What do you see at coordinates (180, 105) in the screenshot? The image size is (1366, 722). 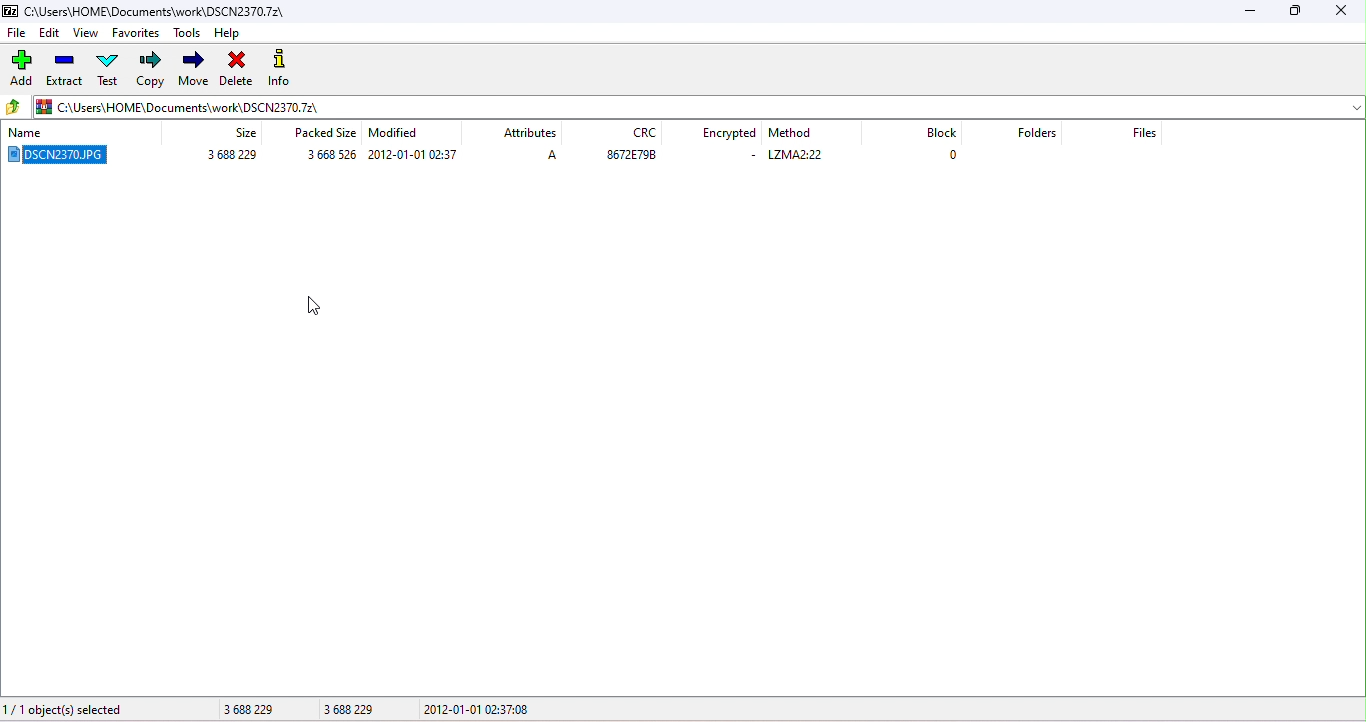 I see `file path changed` at bounding box center [180, 105].